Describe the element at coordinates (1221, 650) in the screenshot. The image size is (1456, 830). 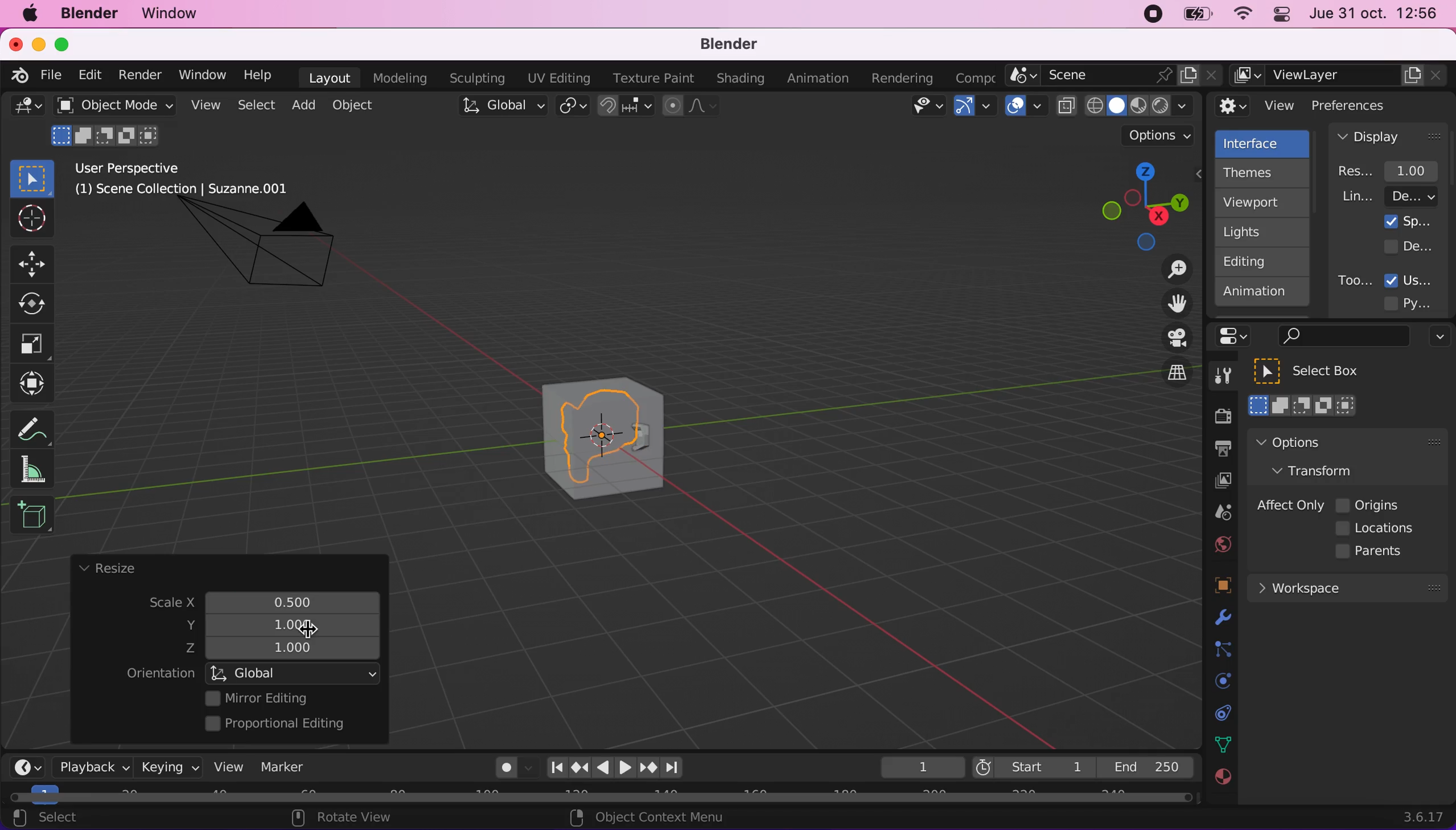
I see `constraints` at that location.